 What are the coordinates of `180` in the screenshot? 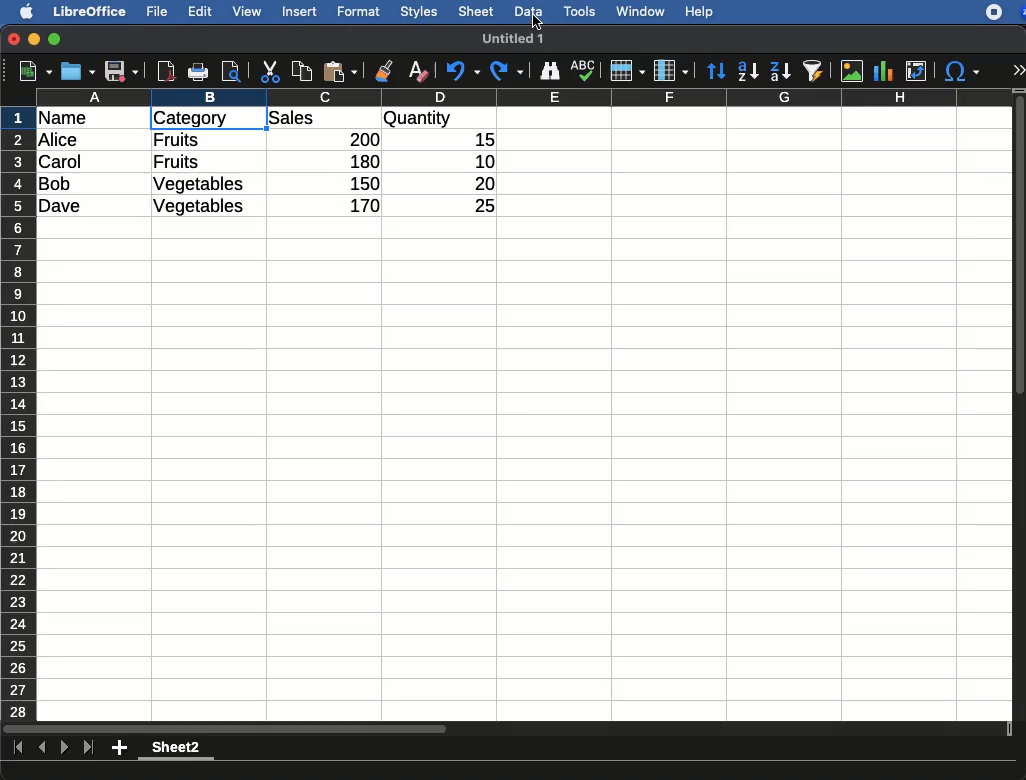 It's located at (357, 162).